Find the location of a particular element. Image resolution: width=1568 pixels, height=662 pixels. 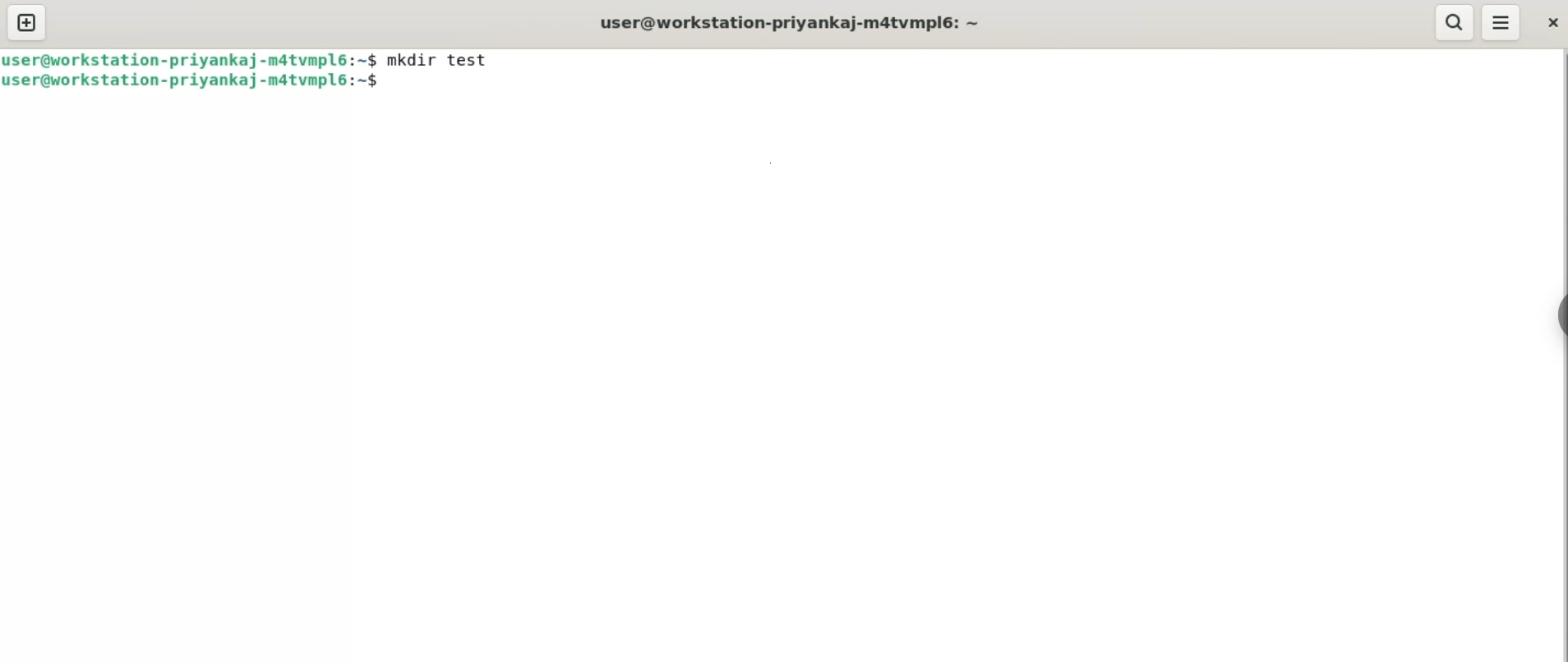

menu is located at coordinates (1502, 22).